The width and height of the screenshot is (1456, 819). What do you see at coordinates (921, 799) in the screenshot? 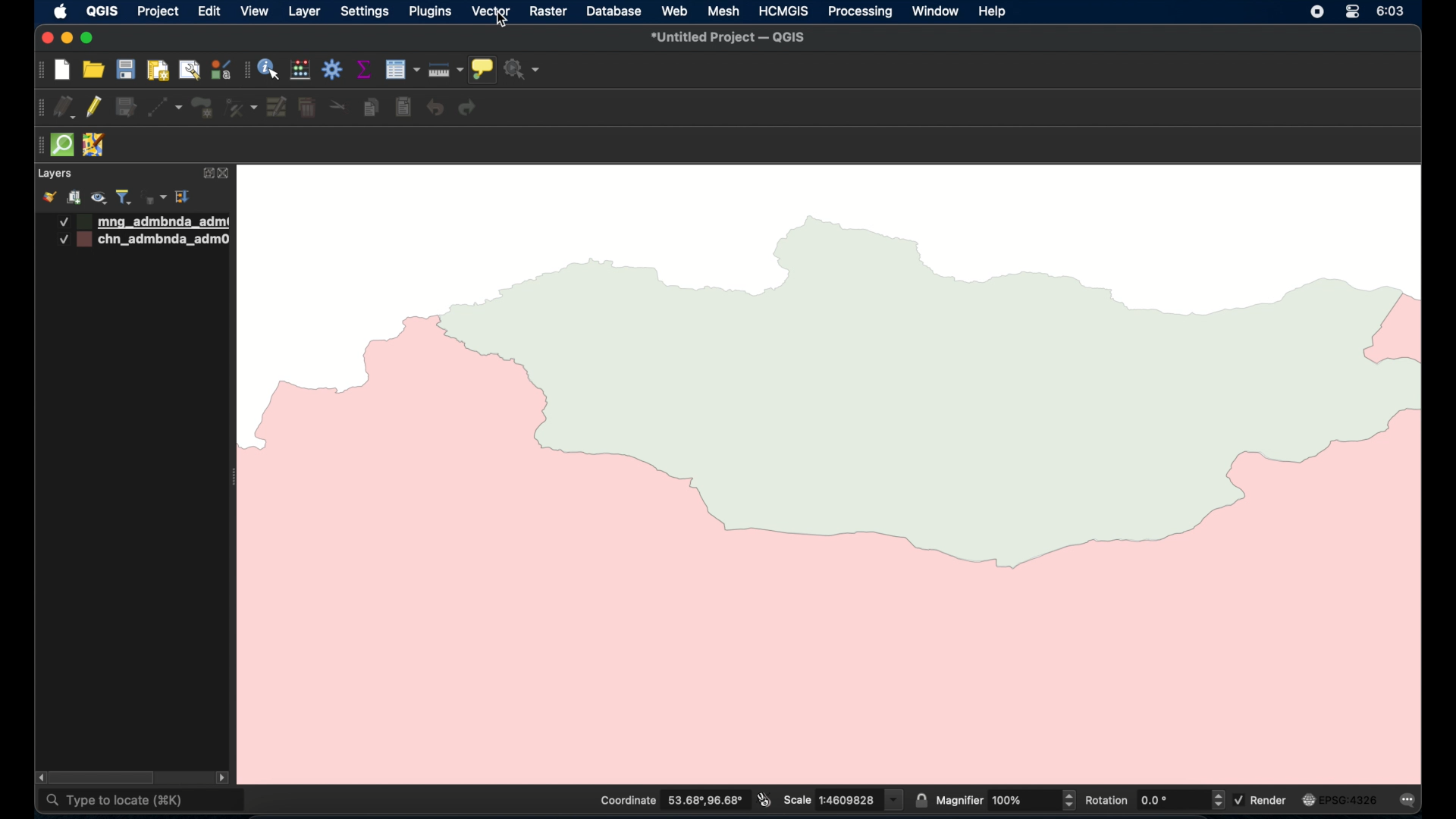
I see `lock scale` at bounding box center [921, 799].